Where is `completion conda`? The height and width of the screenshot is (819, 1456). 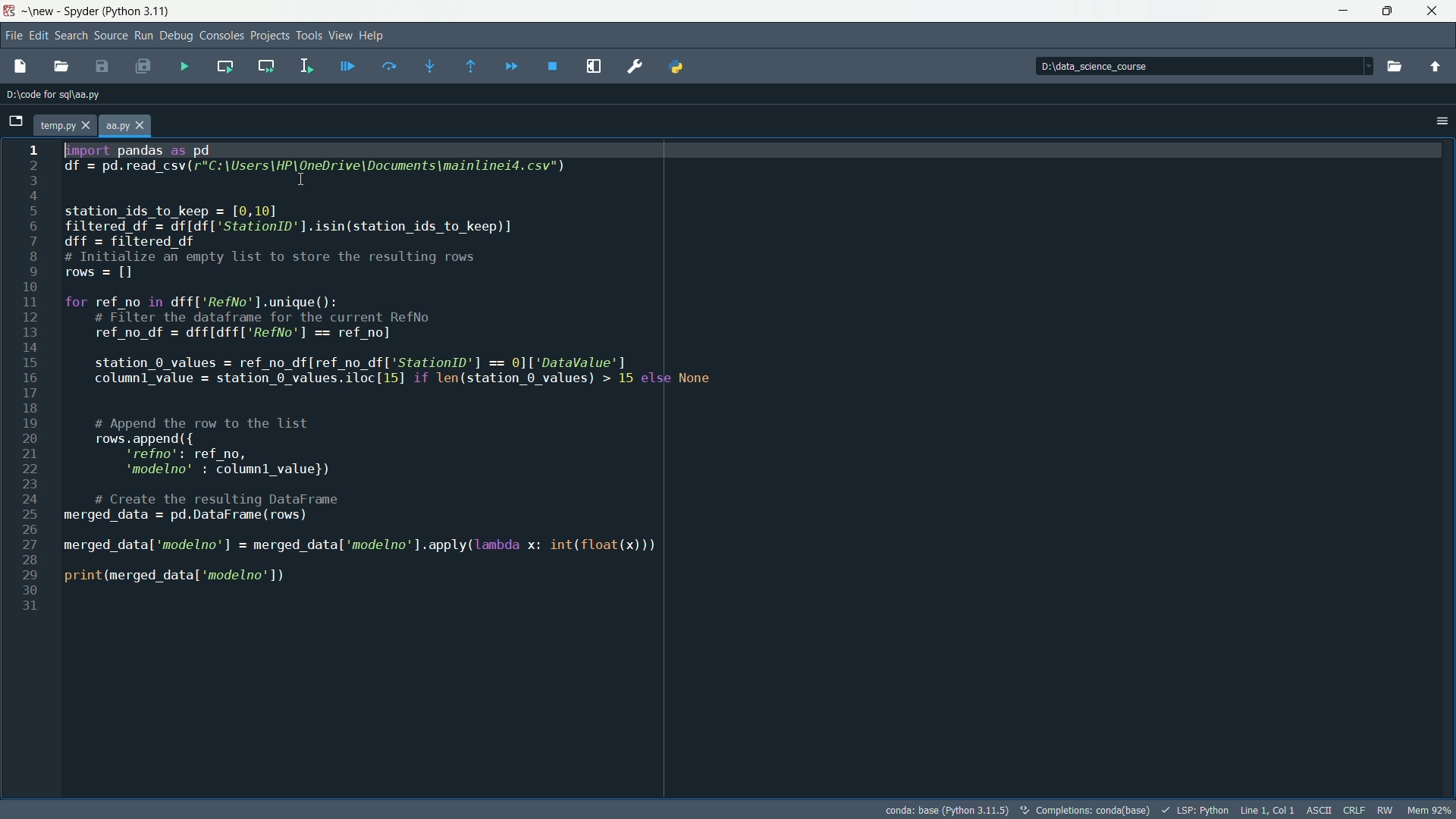
completion conda is located at coordinates (1086, 808).